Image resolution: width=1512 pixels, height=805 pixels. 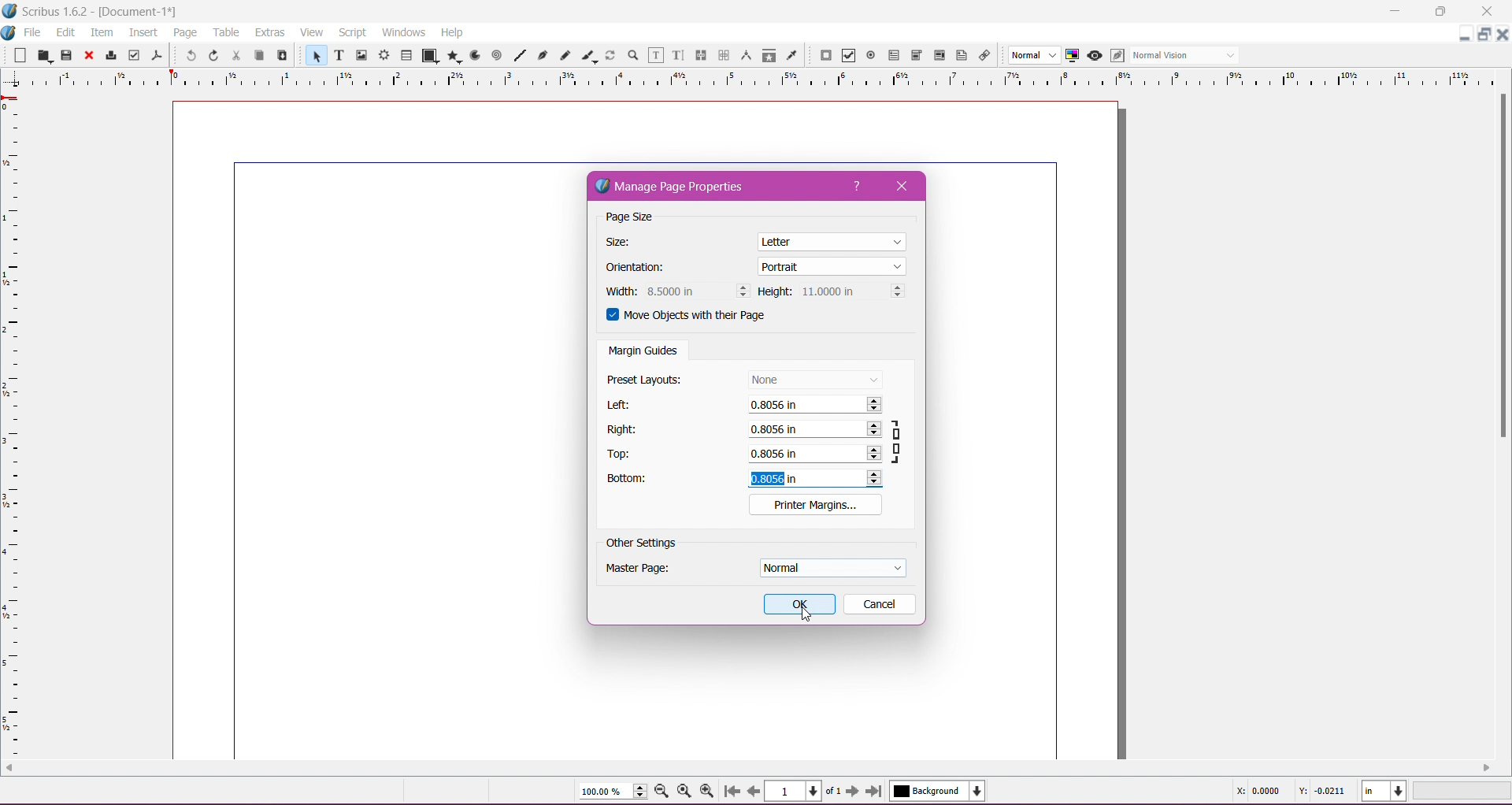 I want to click on Zoom to 100%, so click(x=684, y=790).